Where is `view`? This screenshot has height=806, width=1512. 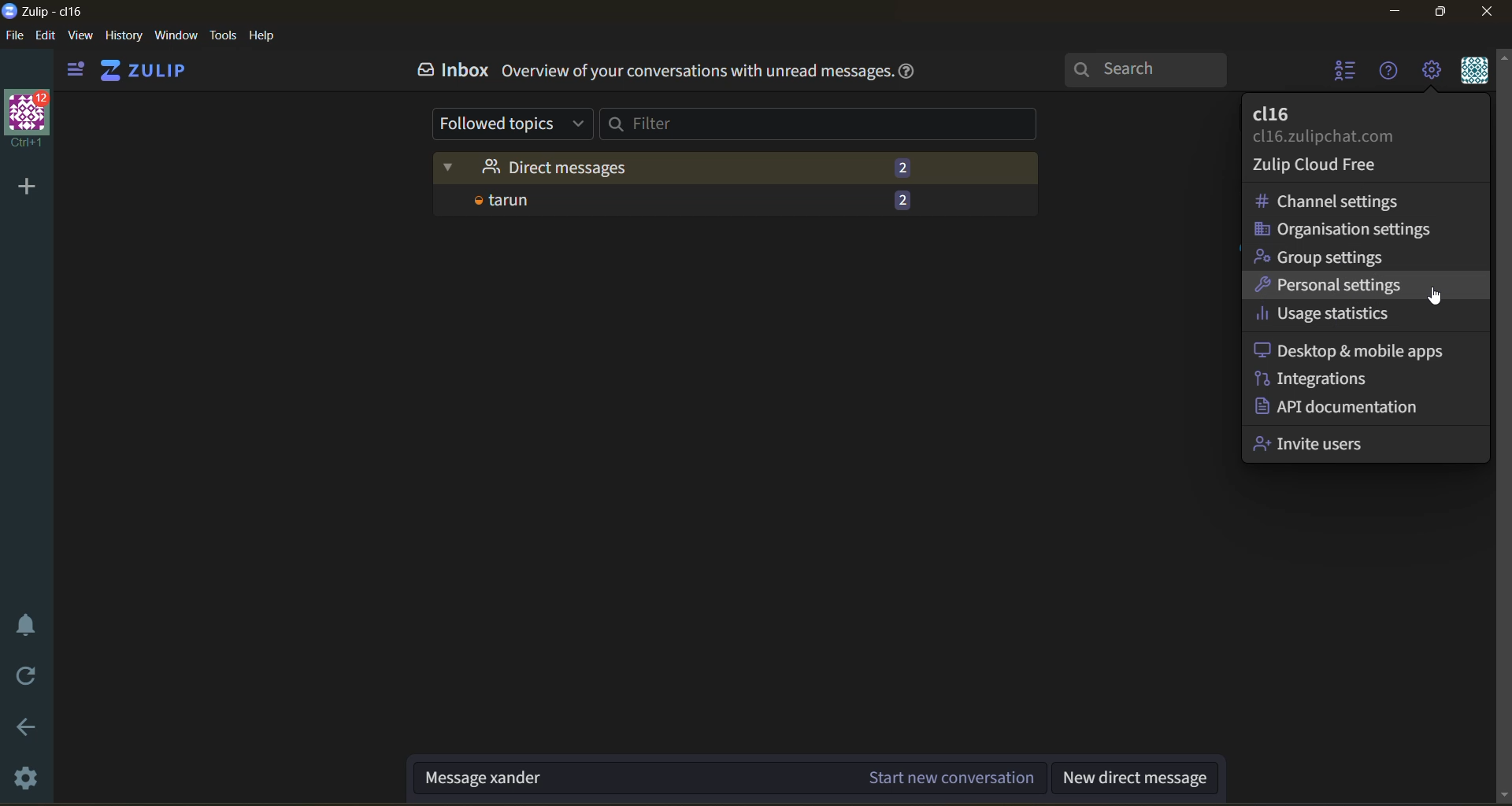
view is located at coordinates (80, 38).